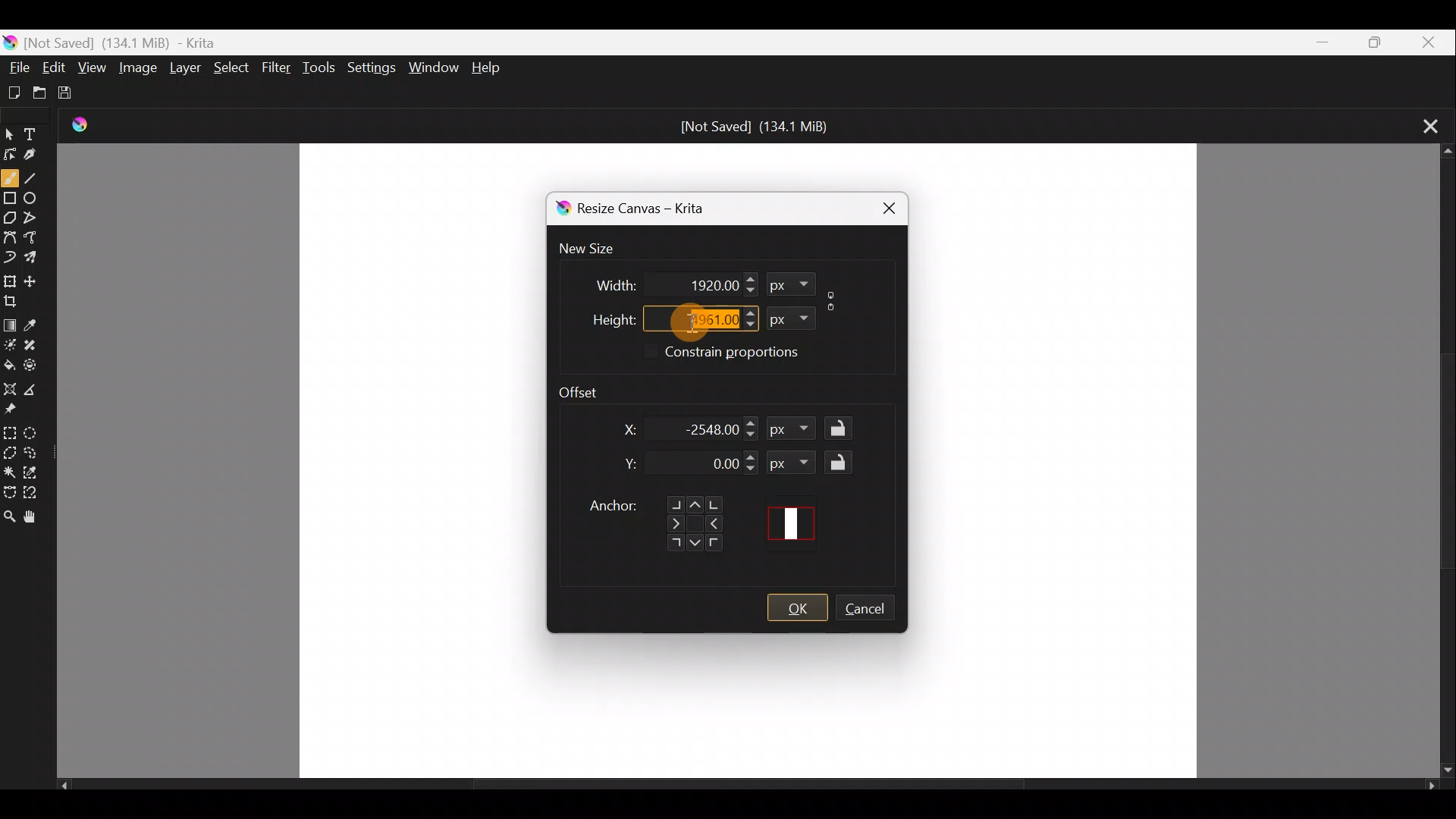 This screenshot has width=1456, height=819. Describe the element at coordinates (12, 411) in the screenshot. I see `Reference images tool` at that location.